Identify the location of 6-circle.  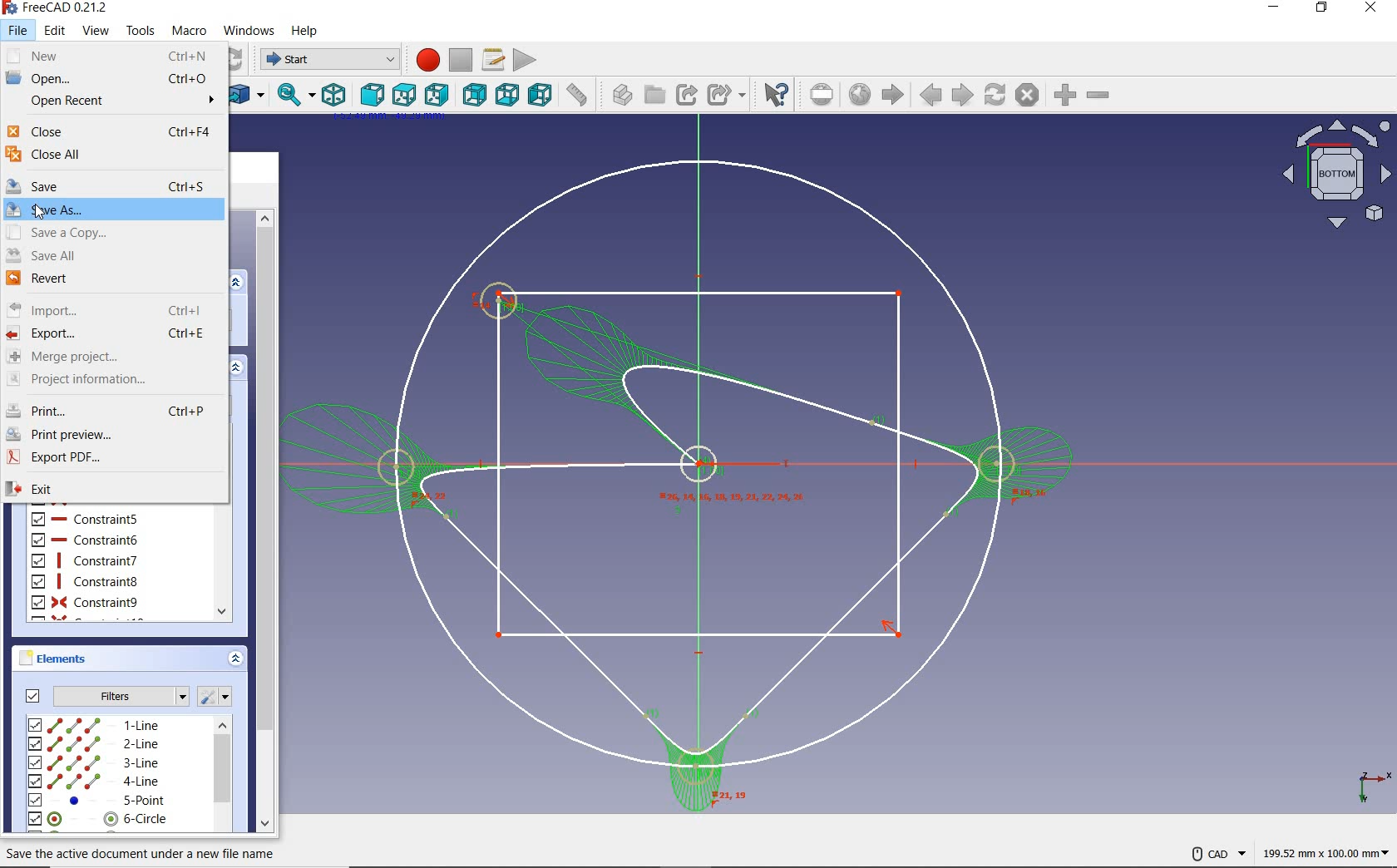
(99, 819).